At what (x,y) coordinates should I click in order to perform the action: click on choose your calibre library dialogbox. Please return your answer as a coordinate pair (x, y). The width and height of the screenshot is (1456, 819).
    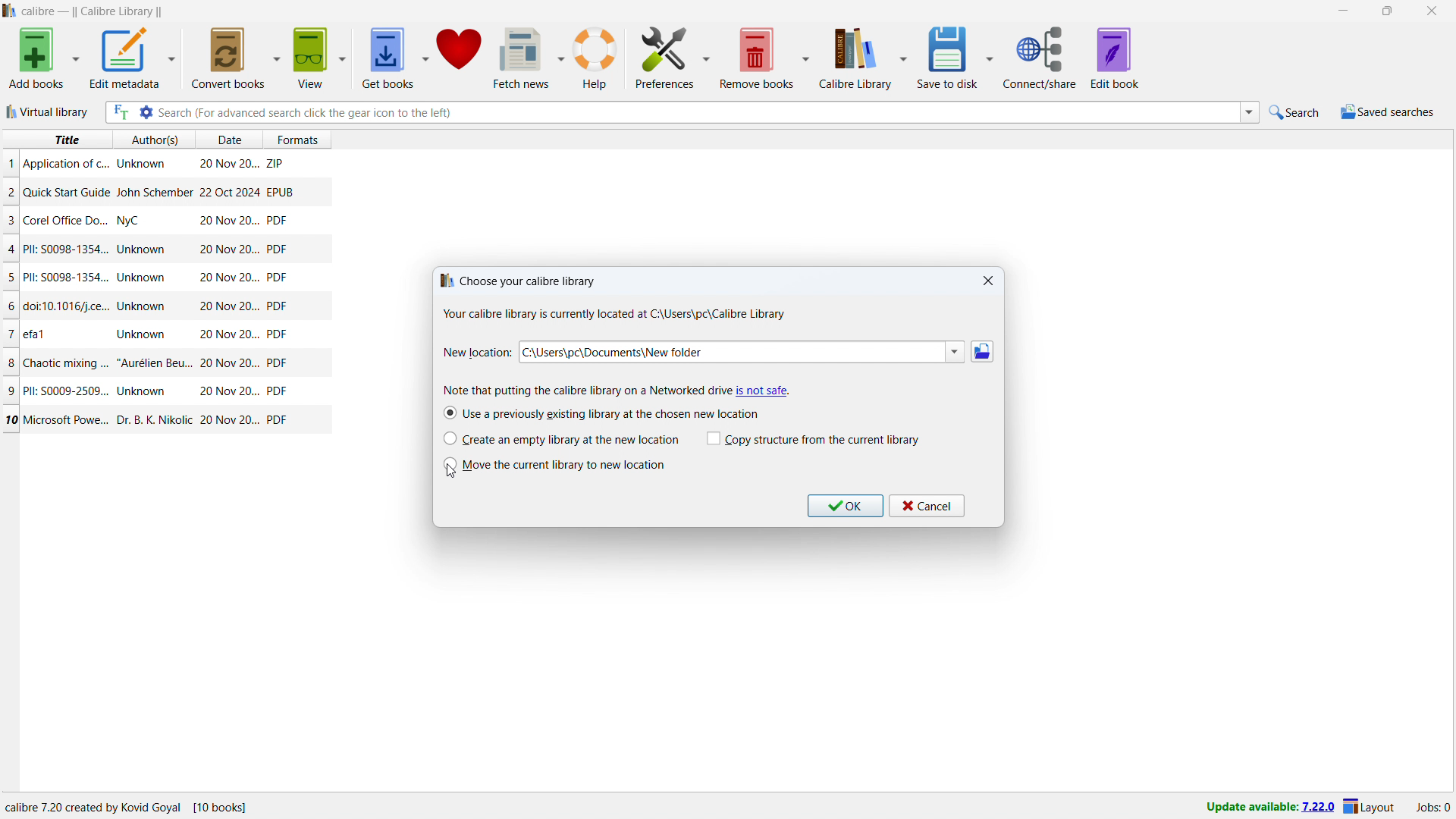
    Looking at the image, I should click on (611, 299).